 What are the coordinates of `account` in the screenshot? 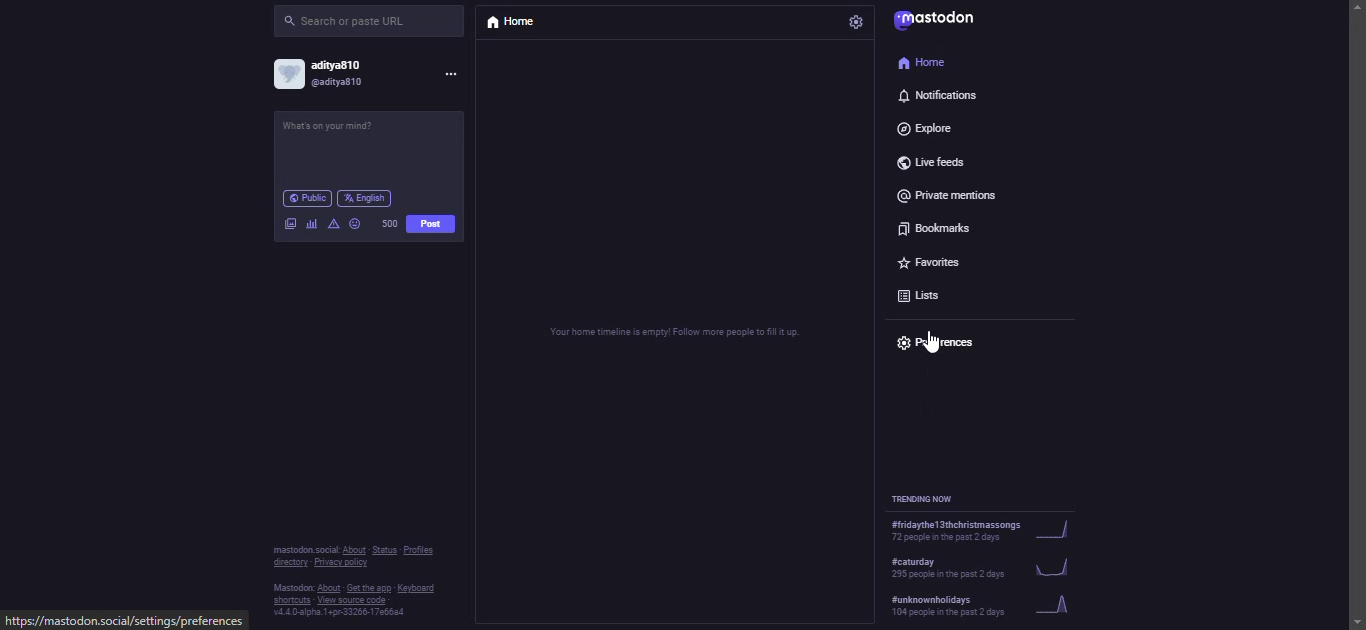 It's located at (329, 75).